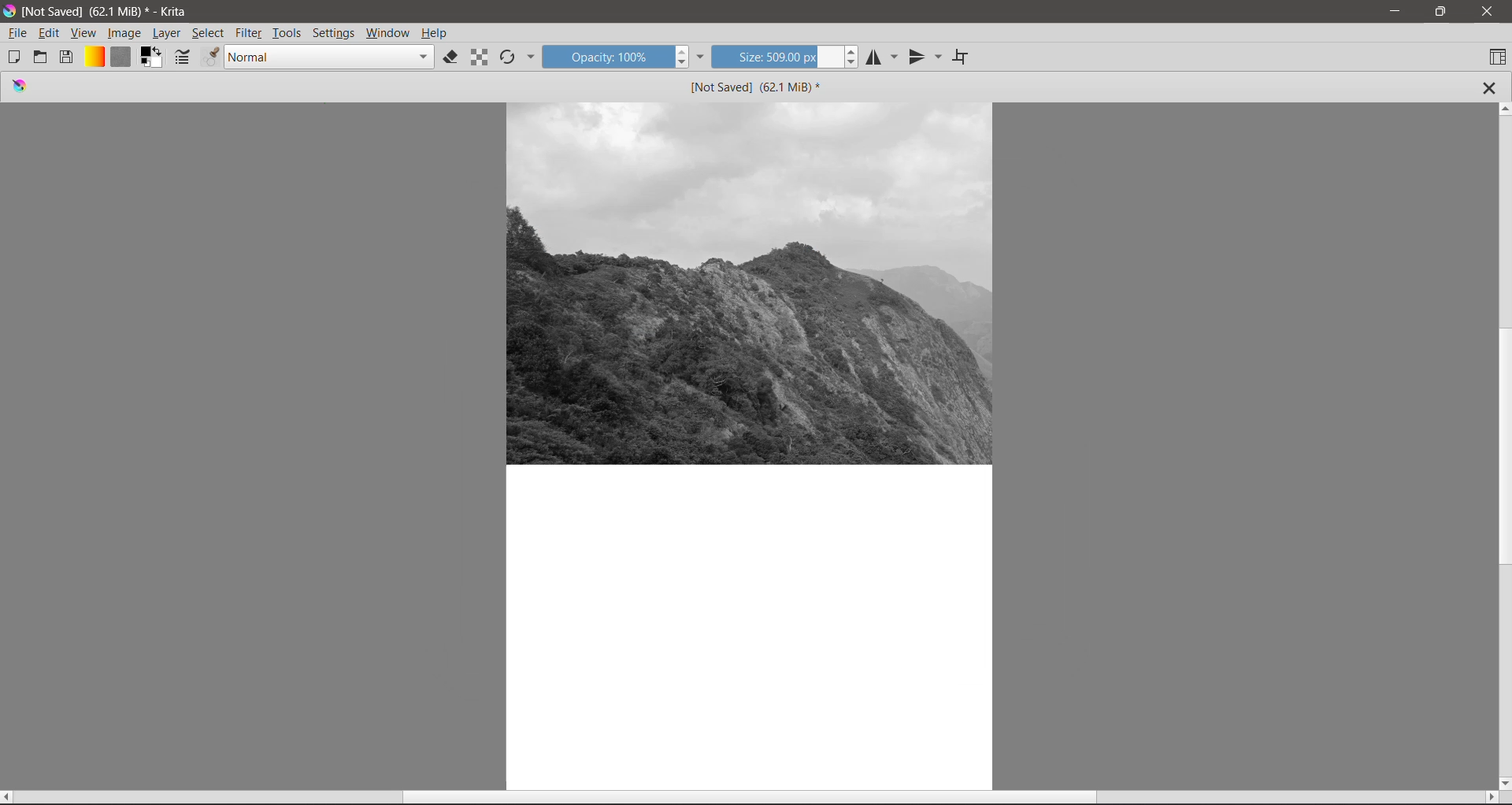 The width and height of the screenshot is (1512, 805). Describe the element at coordinates (328, 57) in the screenshot. I see `Blending mode` at that location.